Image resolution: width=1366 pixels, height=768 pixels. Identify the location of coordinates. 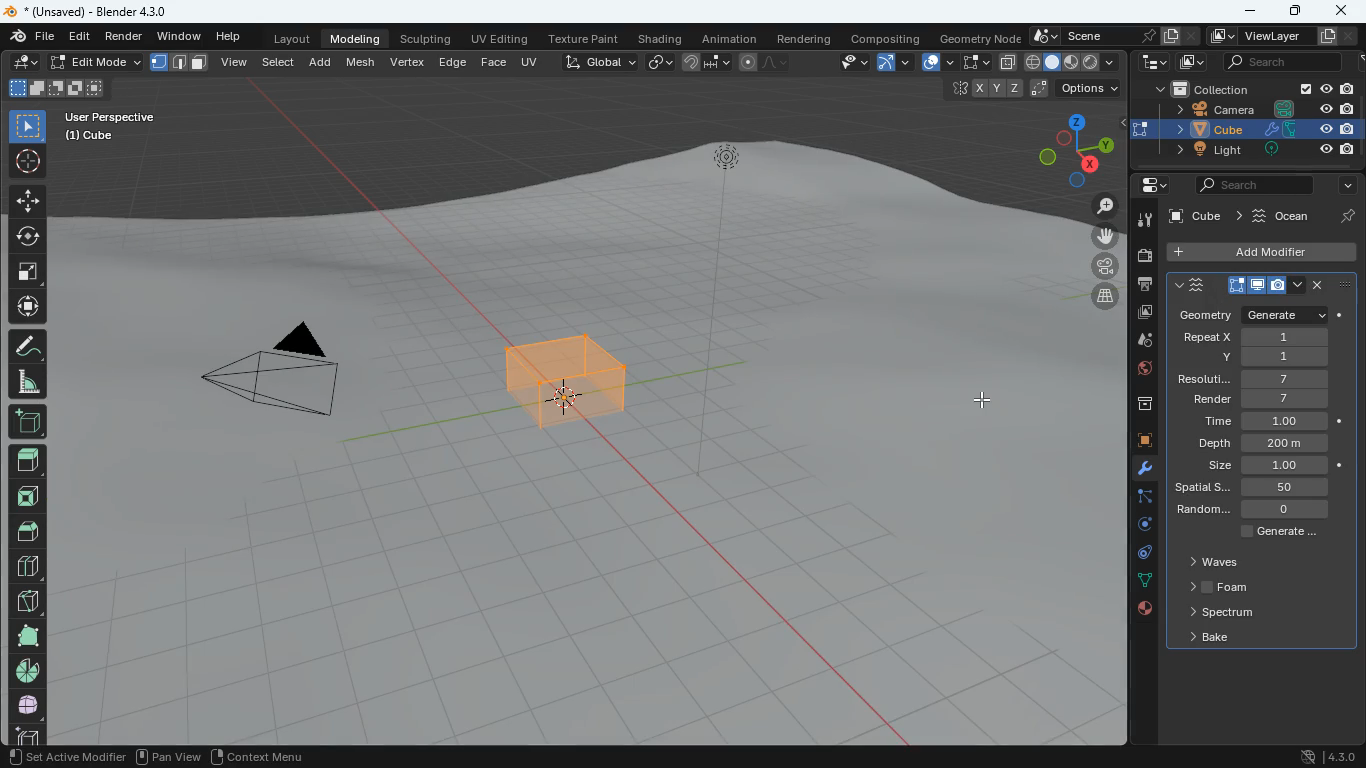
(1030, 90).